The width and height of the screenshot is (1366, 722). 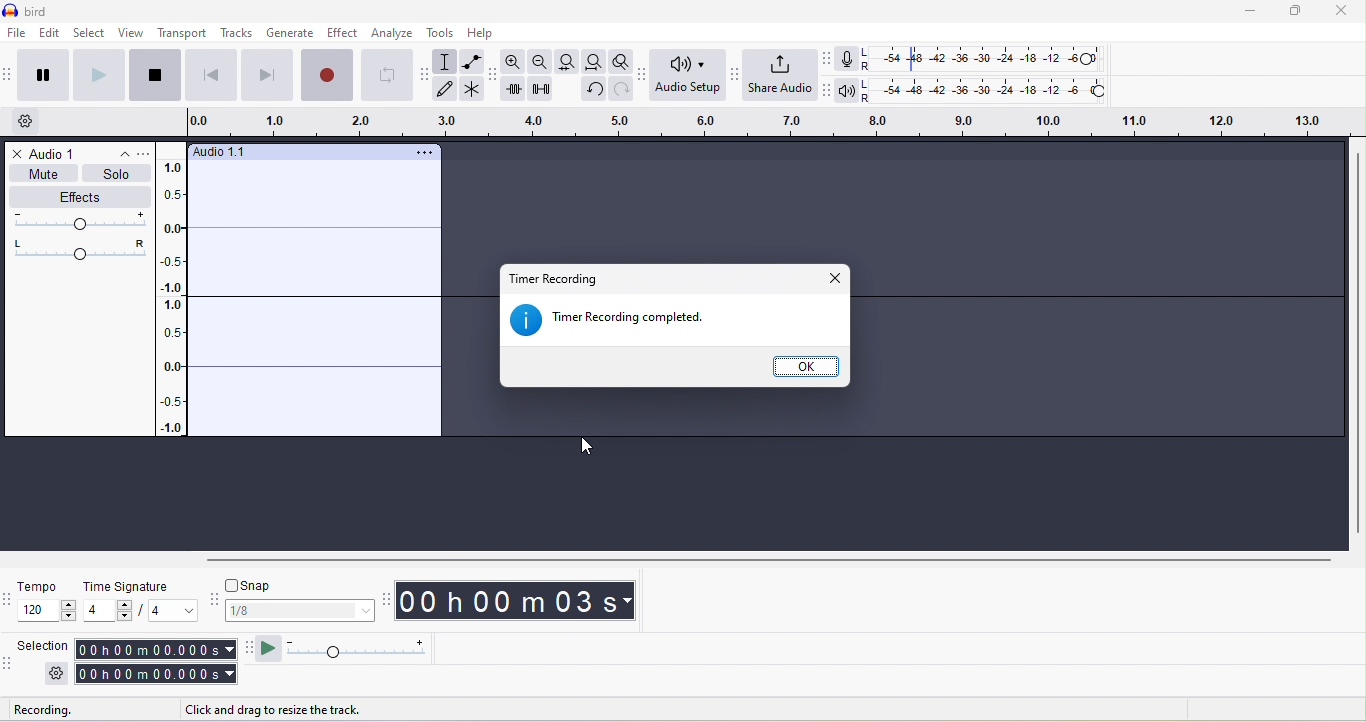 I want to click on zoom out, so click(x=540, y=60).